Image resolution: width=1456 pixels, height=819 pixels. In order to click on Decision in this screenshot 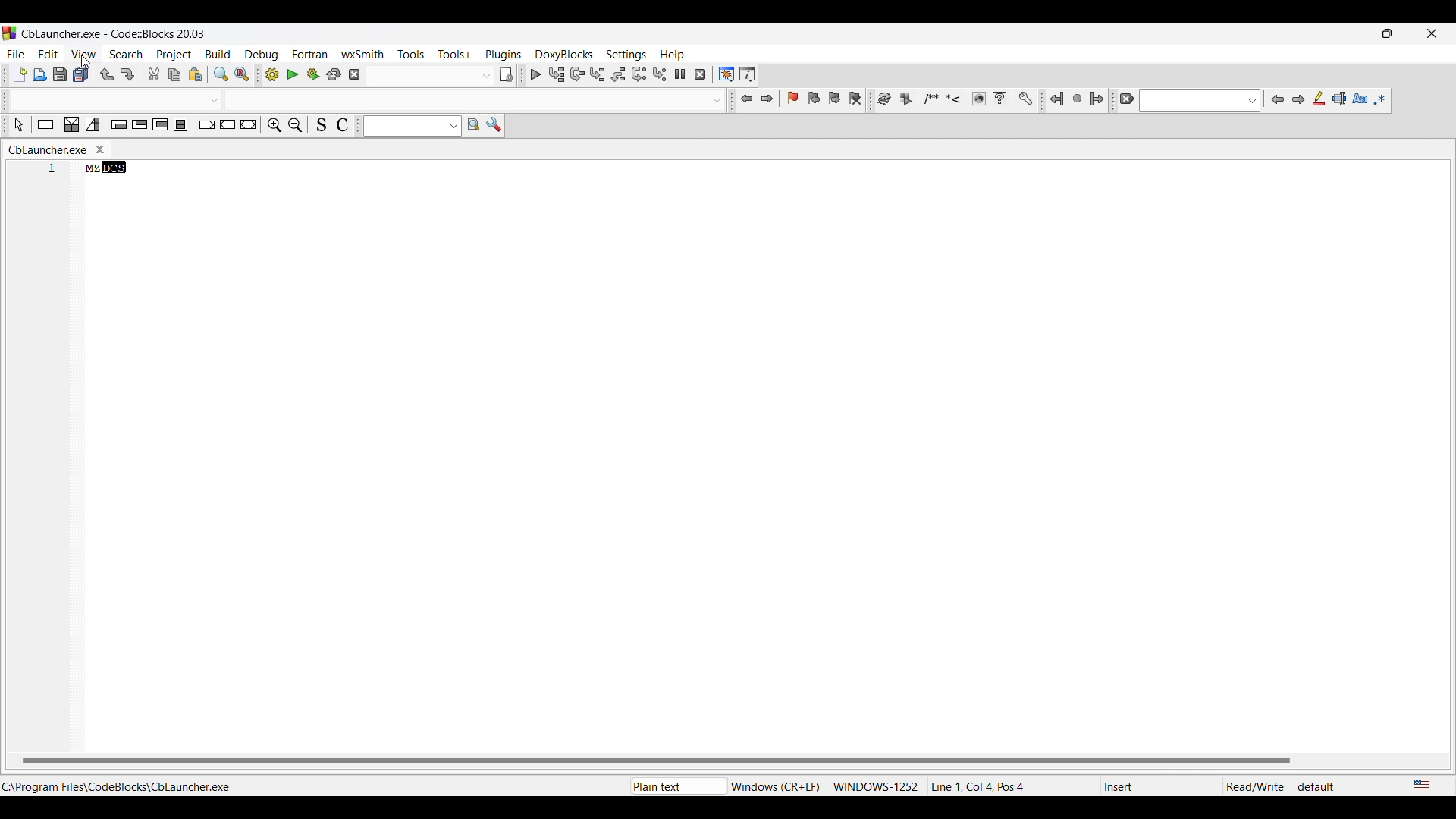, I will do `click(72, 124)`.